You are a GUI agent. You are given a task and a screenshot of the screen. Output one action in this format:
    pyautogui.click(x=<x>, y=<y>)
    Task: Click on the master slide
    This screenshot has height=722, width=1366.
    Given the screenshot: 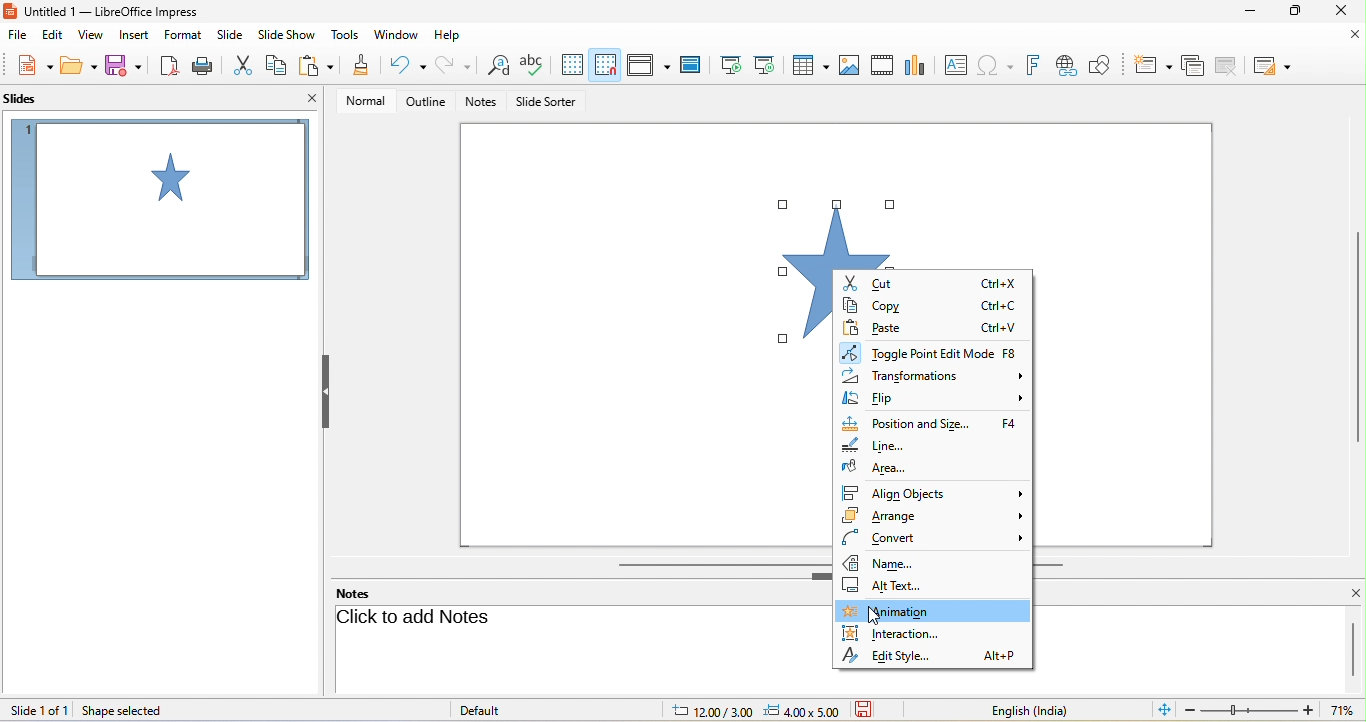 What is the action you would take?
    pyautogui.click(x=692, y=65)
    